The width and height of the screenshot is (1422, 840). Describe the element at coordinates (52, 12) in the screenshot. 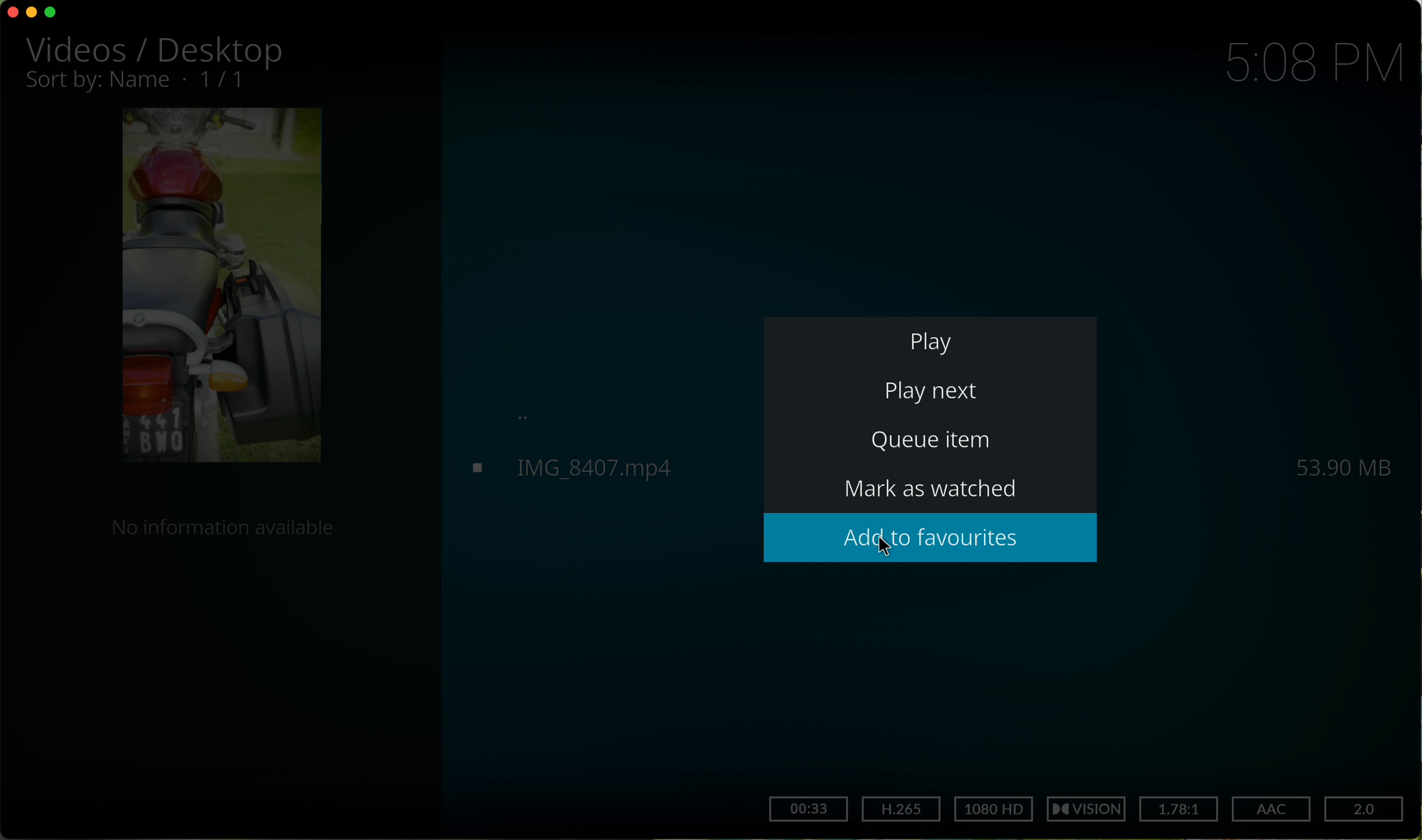

I see `maximize` at that location.